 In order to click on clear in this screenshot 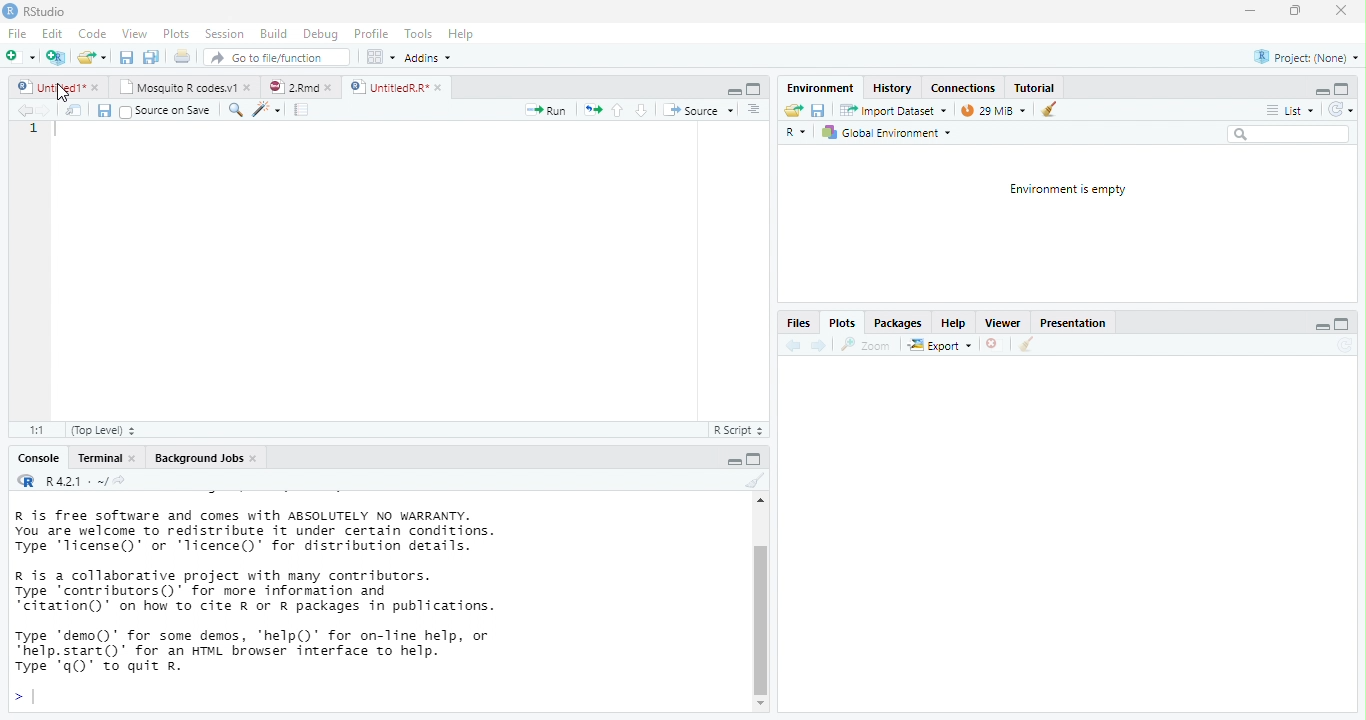, I will do `click(1025, 346)`.